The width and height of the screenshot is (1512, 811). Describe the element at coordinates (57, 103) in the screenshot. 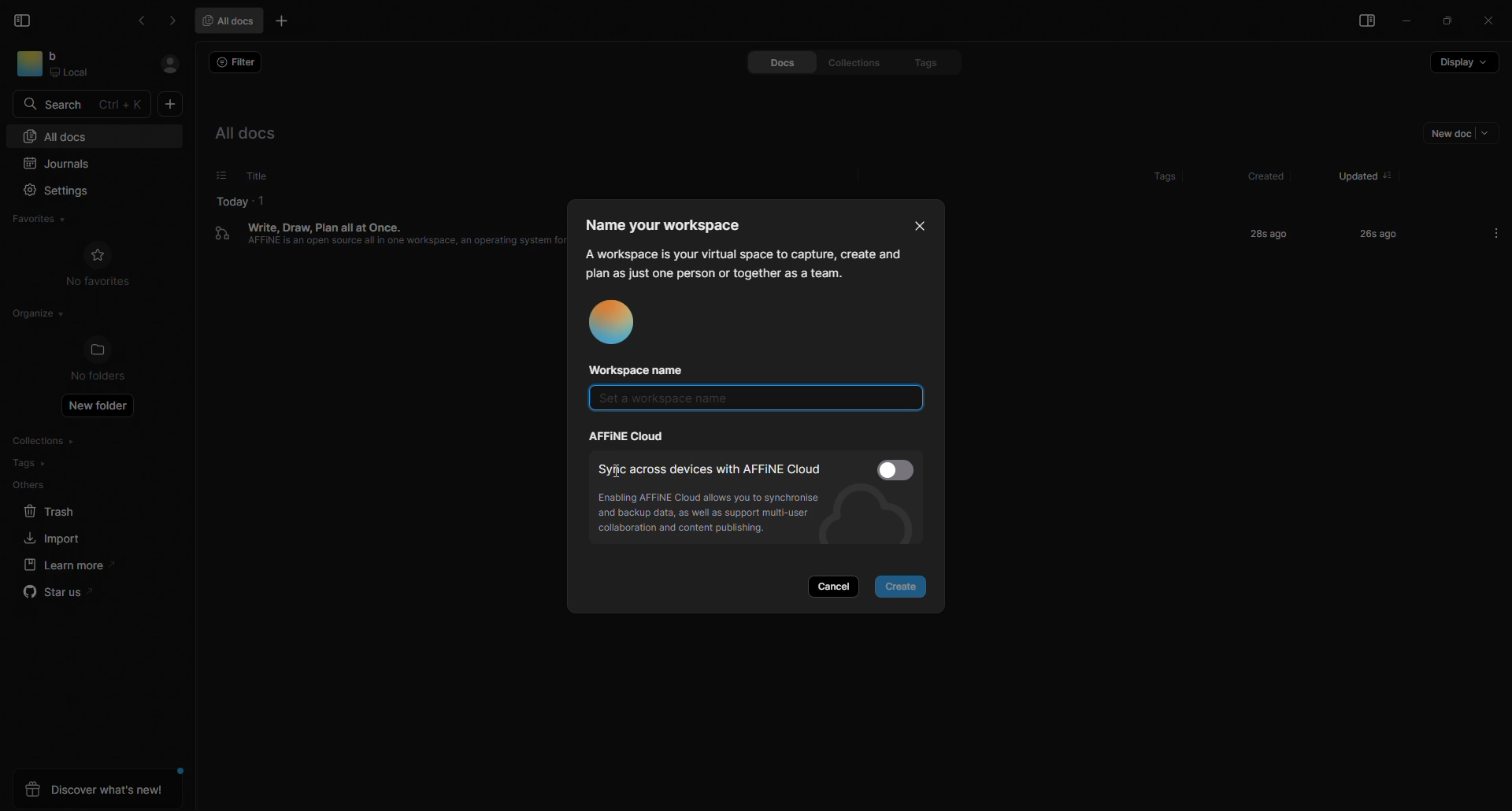

I see `search` at that location.